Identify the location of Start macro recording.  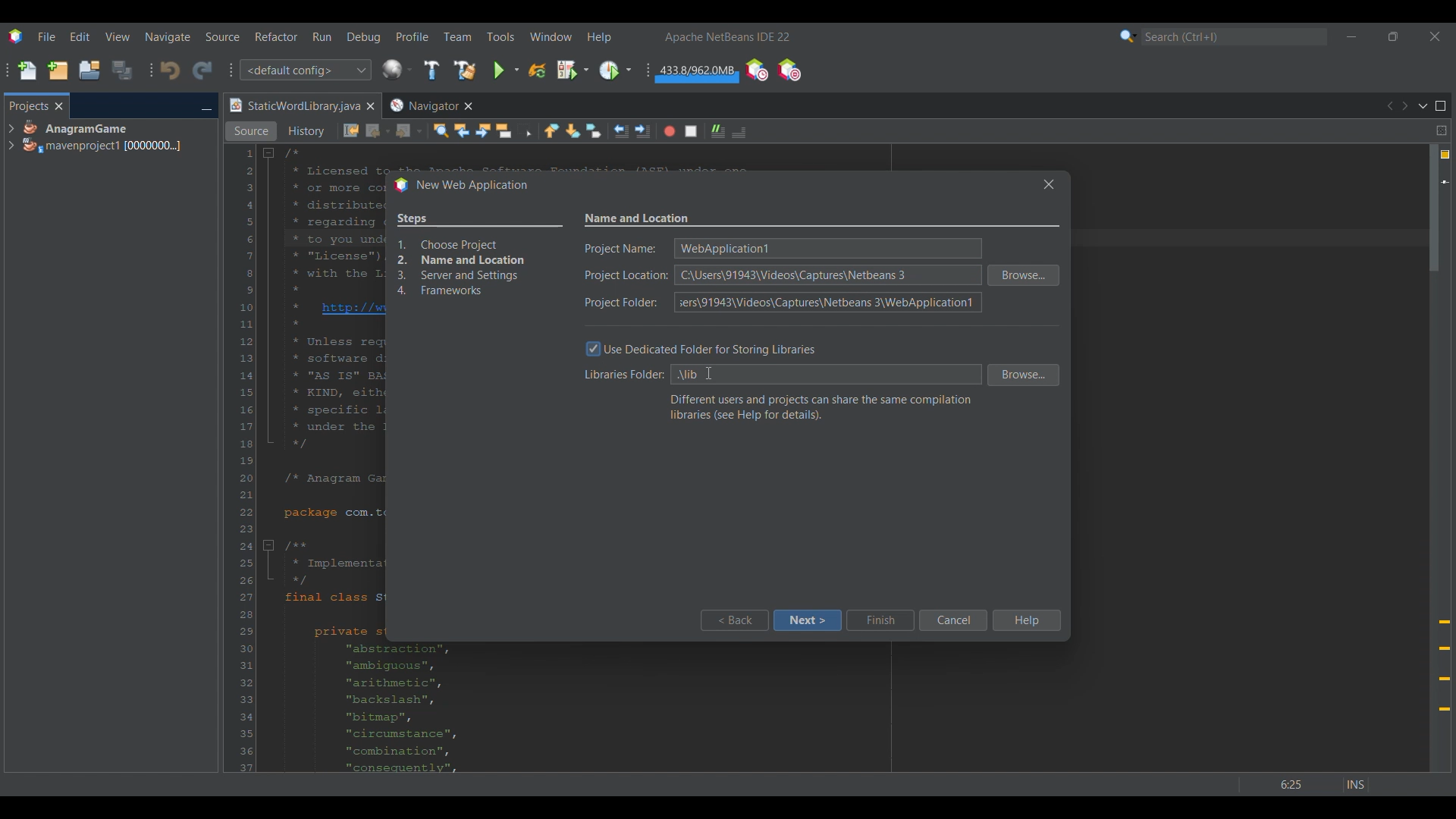
(670, 131).